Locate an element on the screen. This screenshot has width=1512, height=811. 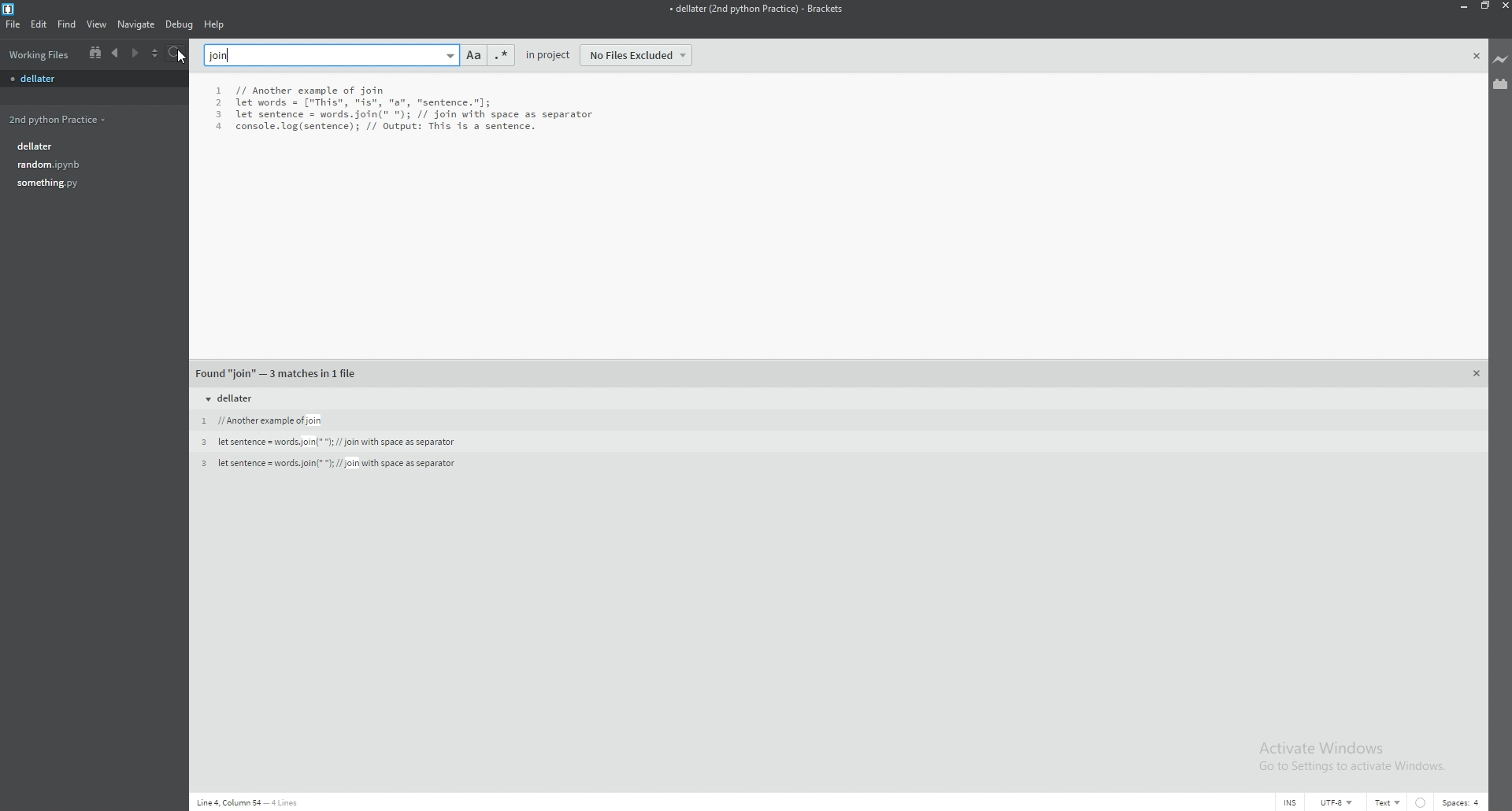
cursor is located at coordinates (181, 55).